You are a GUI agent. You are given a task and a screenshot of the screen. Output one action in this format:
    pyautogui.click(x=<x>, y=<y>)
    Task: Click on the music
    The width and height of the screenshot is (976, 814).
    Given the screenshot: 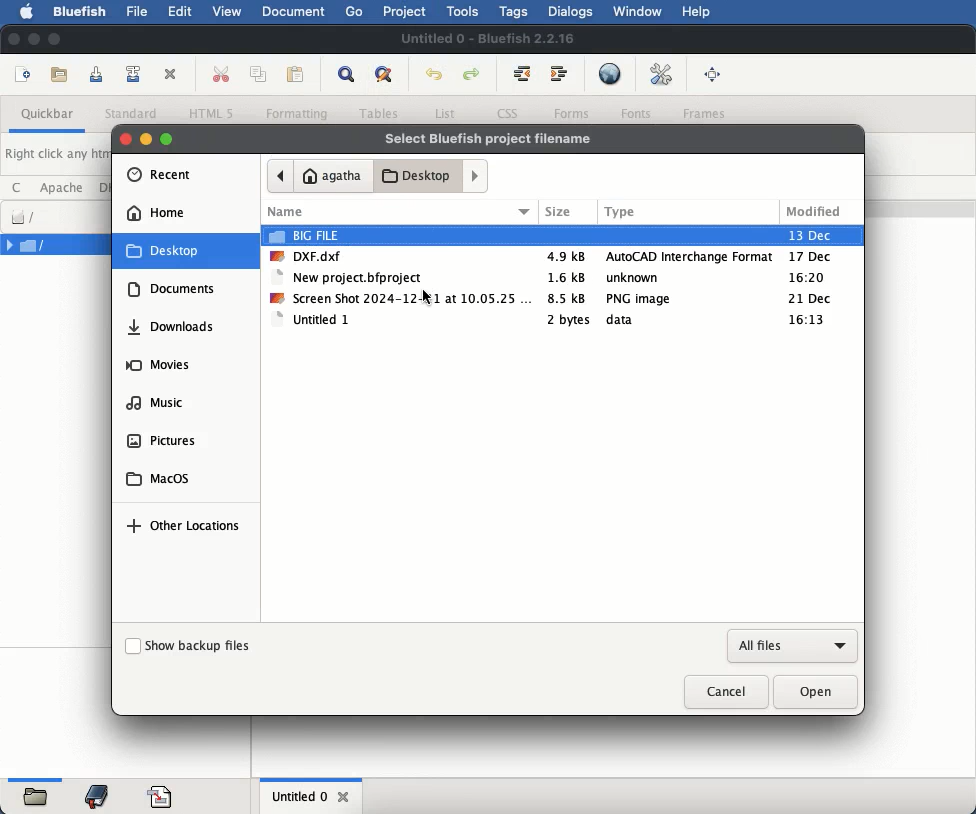 What is the action you would take?
    pyautogui.click(x=159, y=404)
    